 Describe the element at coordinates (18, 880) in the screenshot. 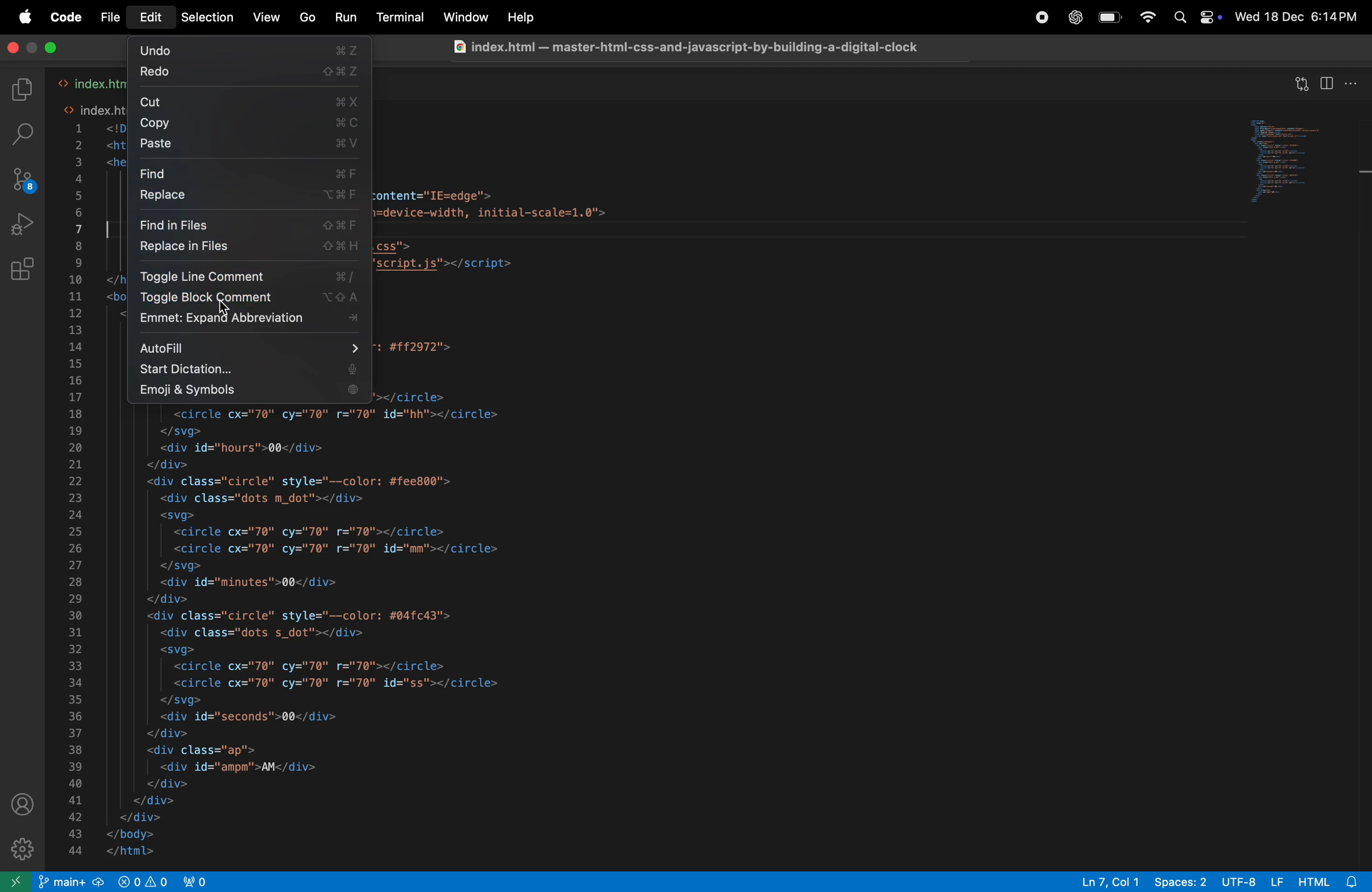

I see `open new window` at that location.